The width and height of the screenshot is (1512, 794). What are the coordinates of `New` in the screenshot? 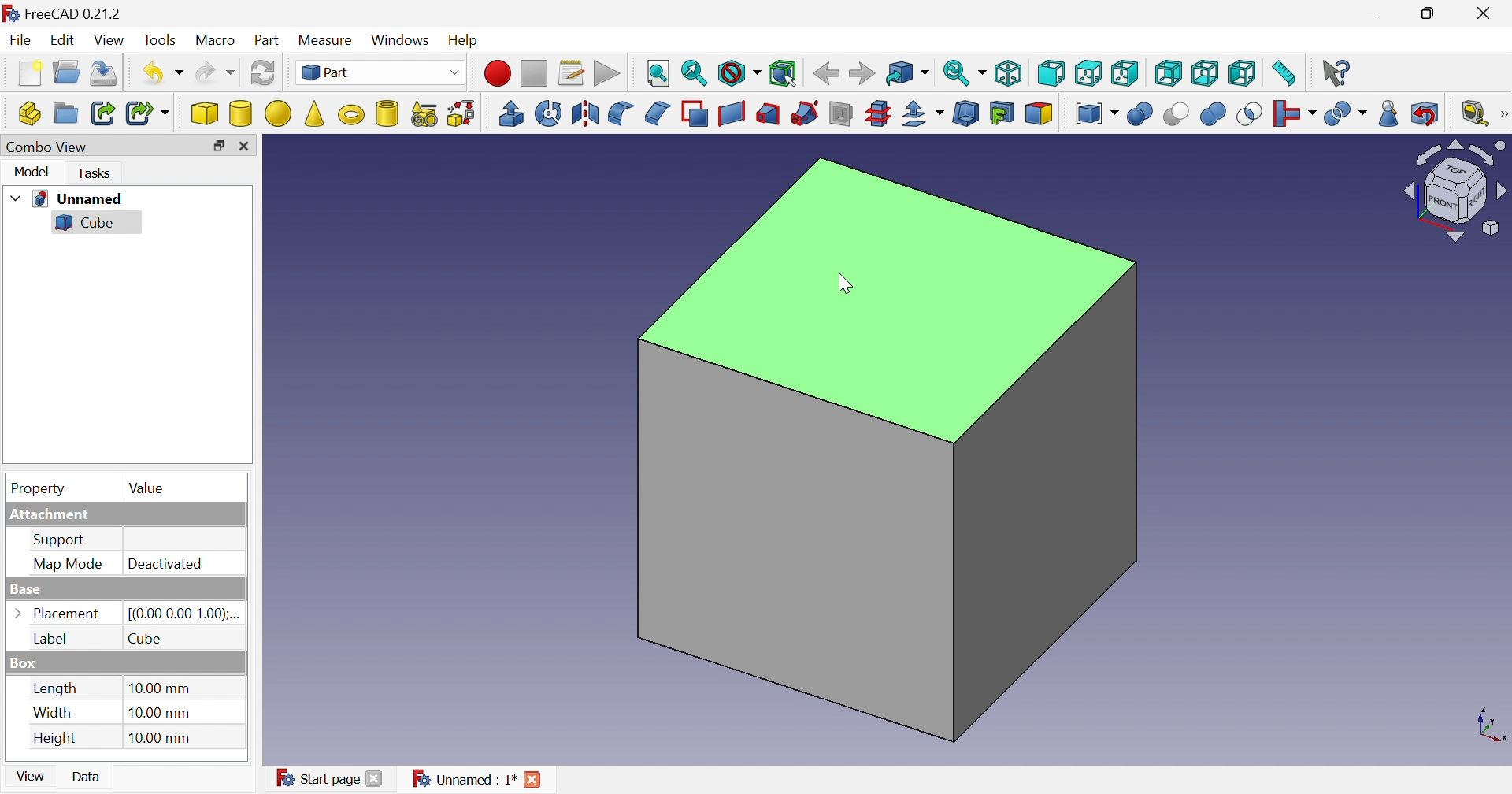 It's located at (31, 73).